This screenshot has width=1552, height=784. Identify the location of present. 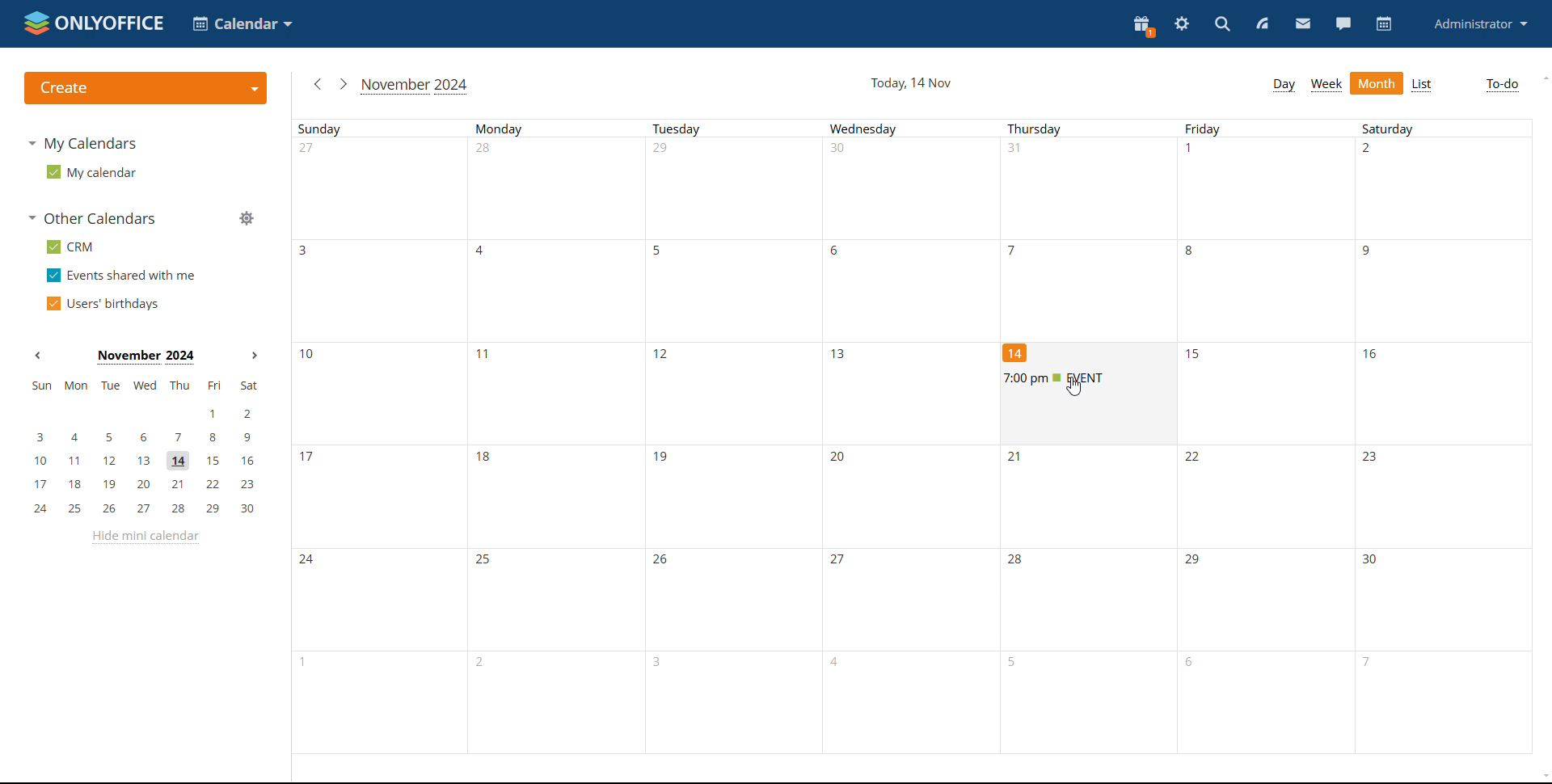
(1141, 27).